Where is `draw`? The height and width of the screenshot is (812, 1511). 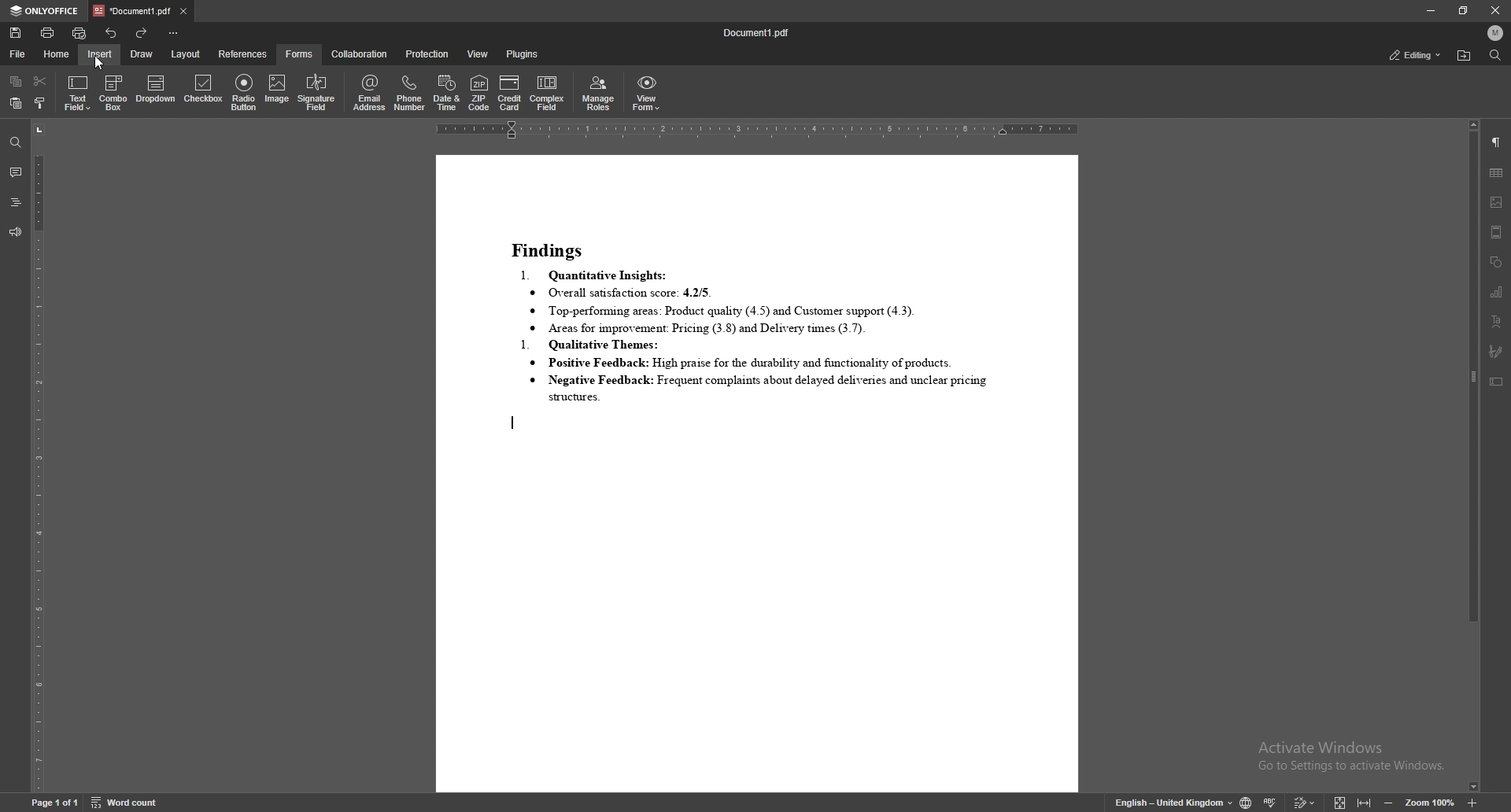 draw is located at coordinates (142, 54).